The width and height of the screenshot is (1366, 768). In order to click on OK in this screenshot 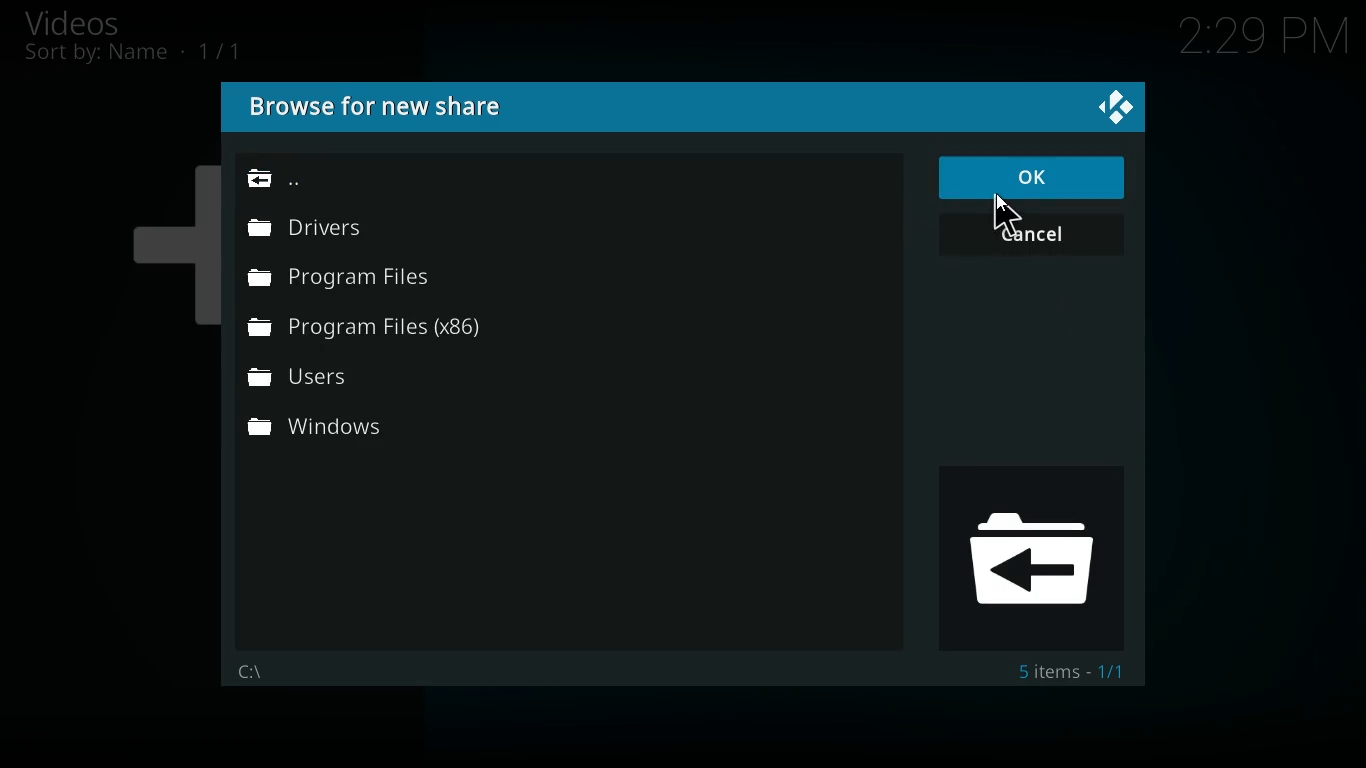, I will do `click(1029, 178)`.